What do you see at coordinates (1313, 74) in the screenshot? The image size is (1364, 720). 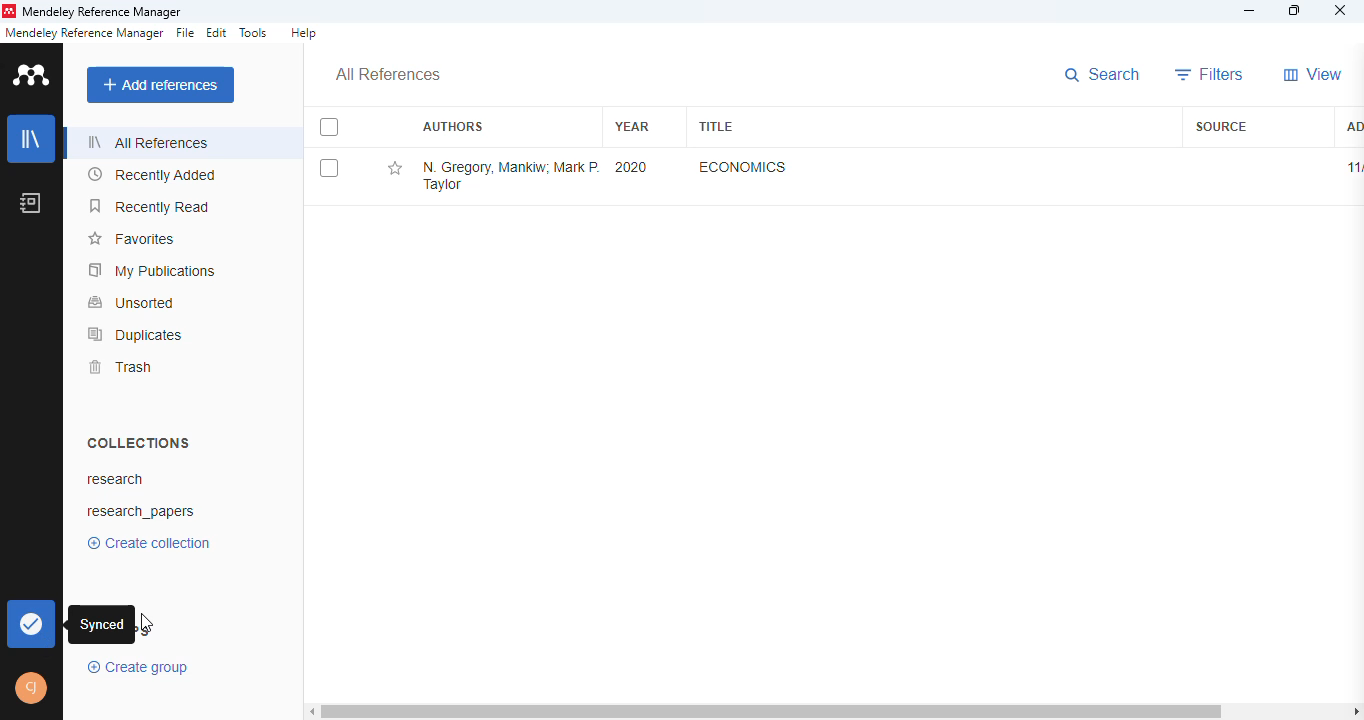 I see `view` at bounding box center [1313, 74].